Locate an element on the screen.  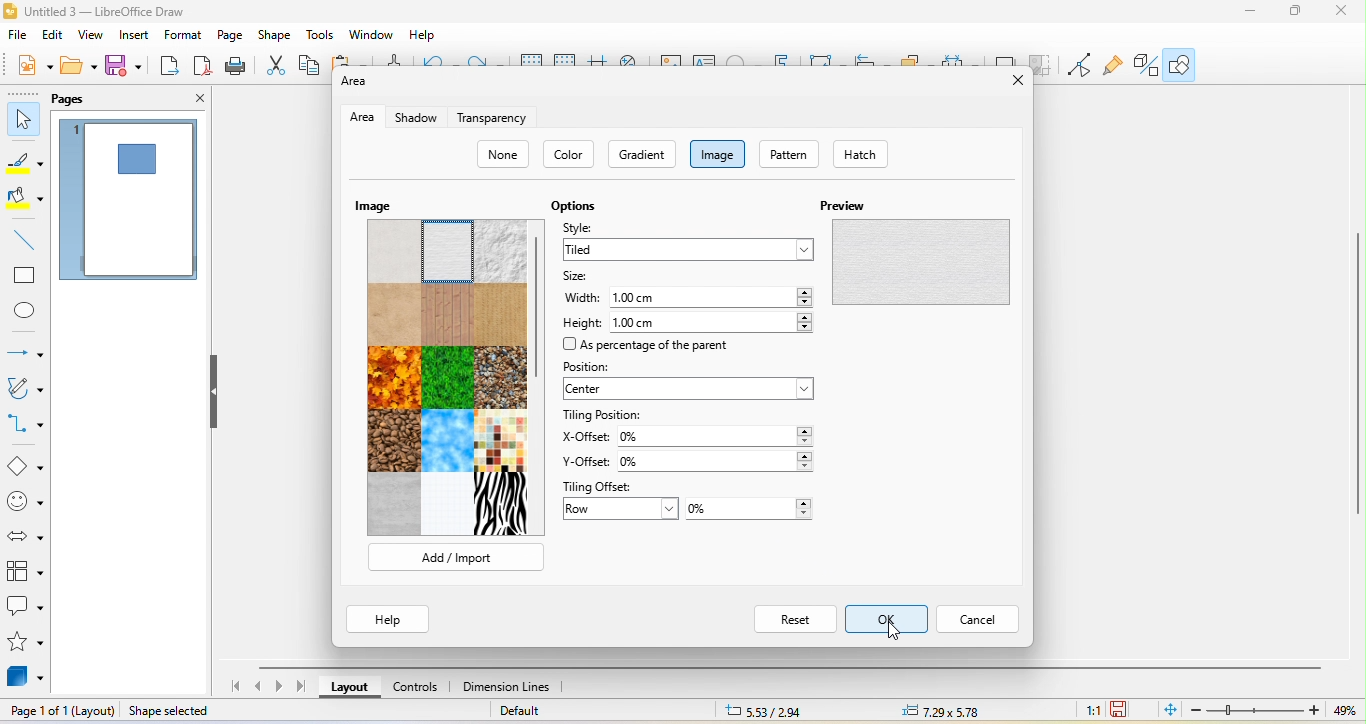
reset is located at coordinates (790, 618).